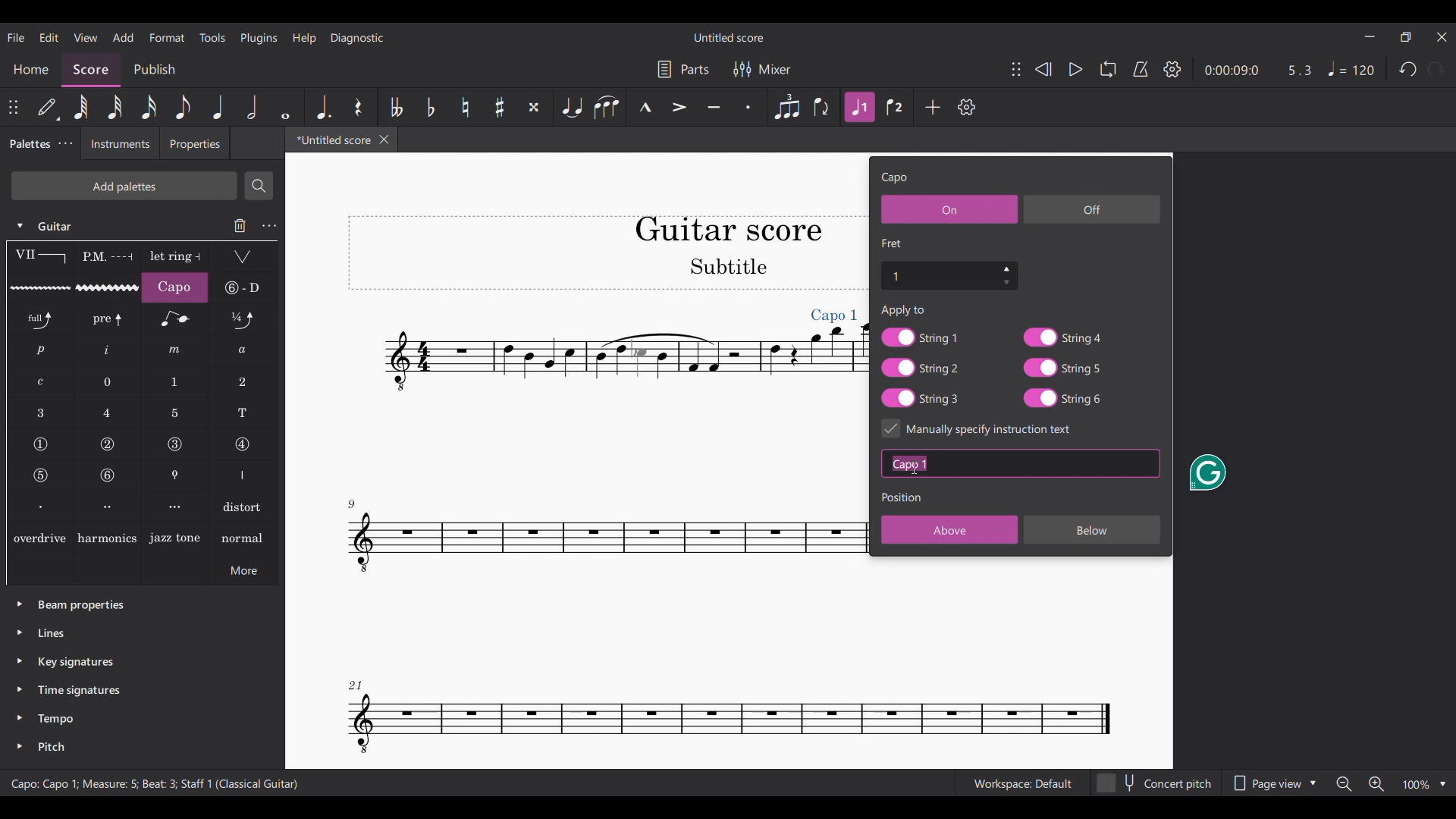 The width and height of the screenshot is (1456, 819). What do you see at coordinates (430, 107) in the screenshot?
I see `Toggle flat` at bounding box center [430, 107].